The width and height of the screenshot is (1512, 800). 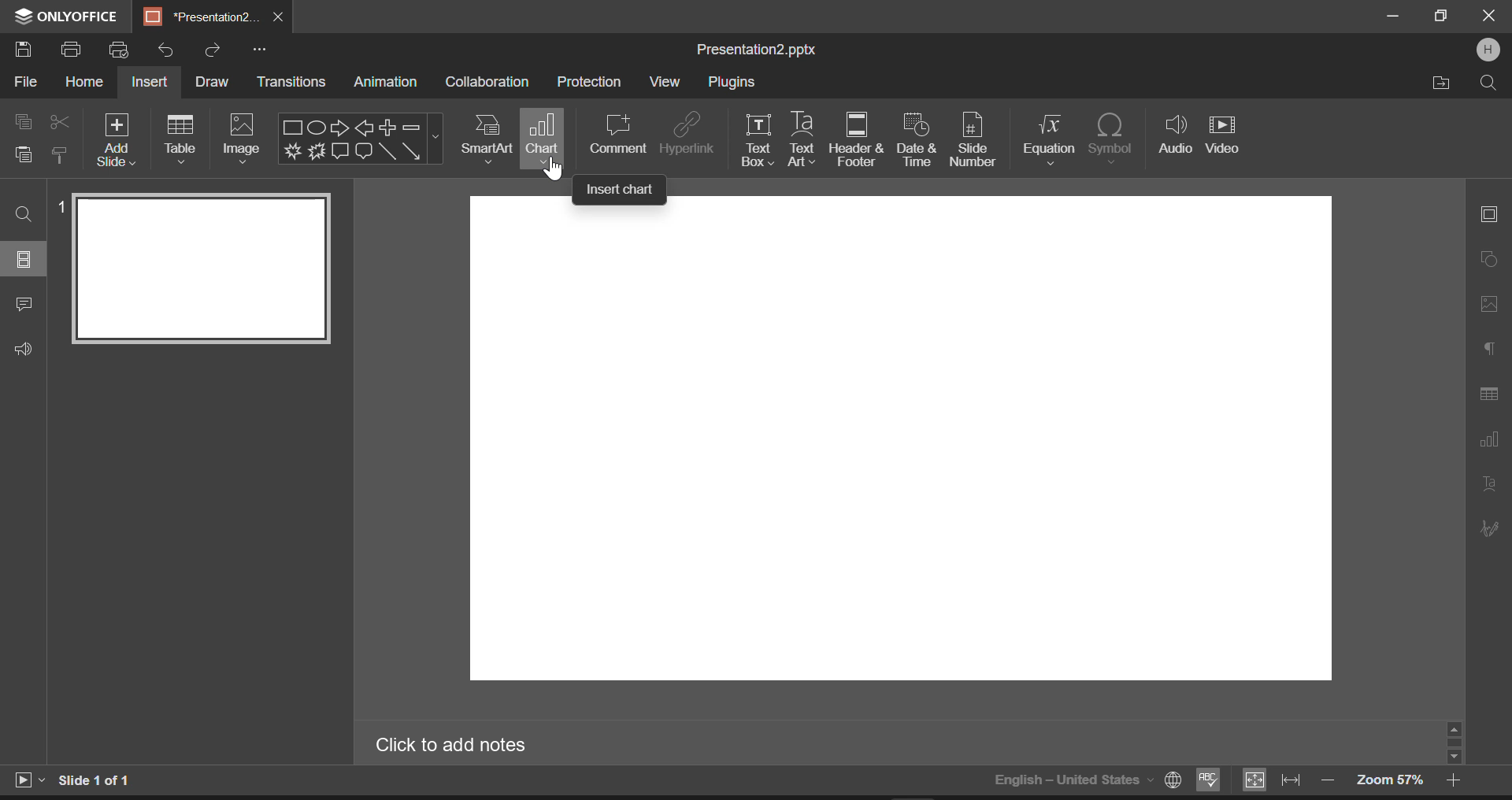 What do you see at coordinates (592, 81) in the screenshot?
I see `Protection` at bounding box center [592, 81].